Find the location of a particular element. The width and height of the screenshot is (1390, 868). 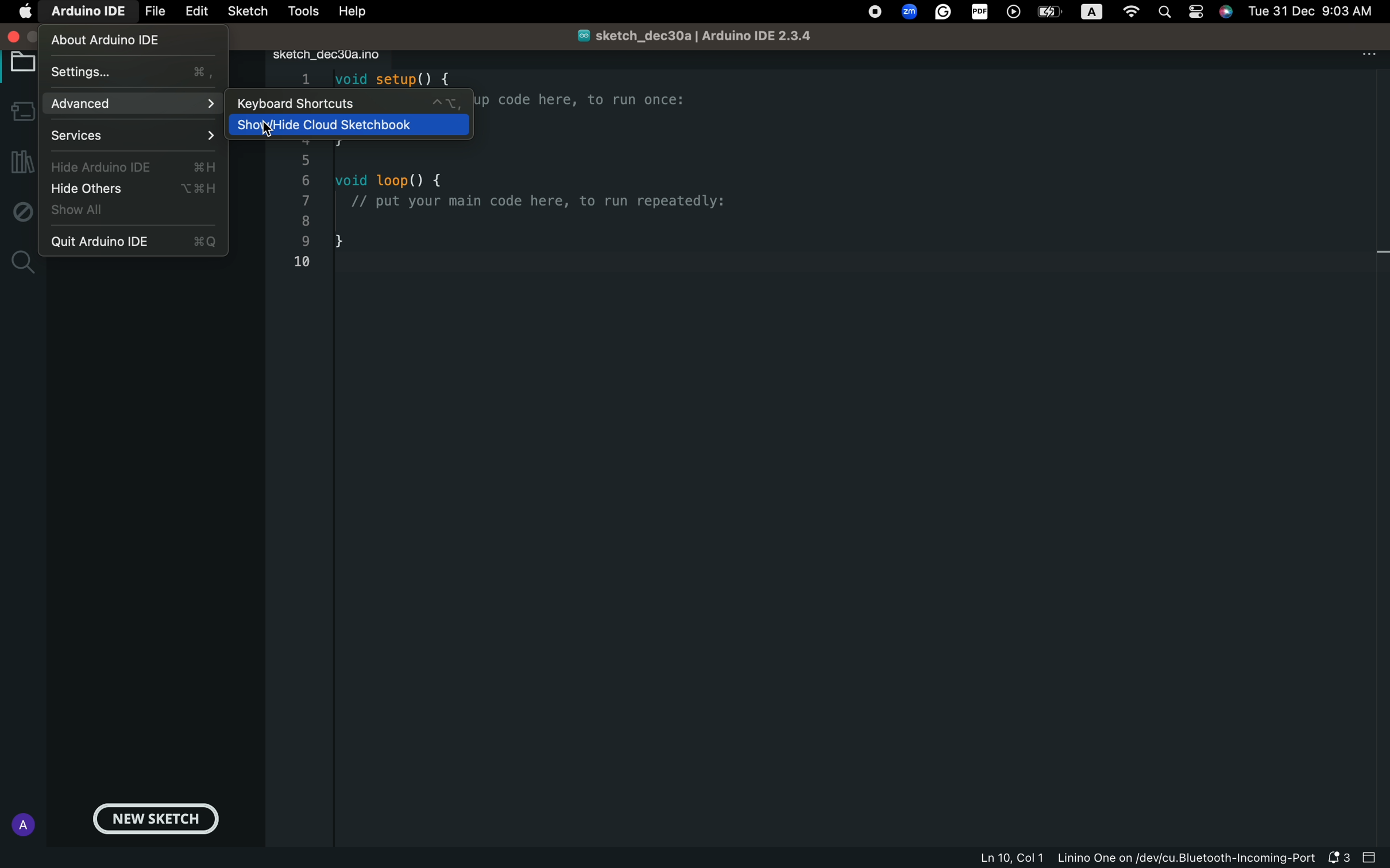

file tab is located at coordinates (346, 55).